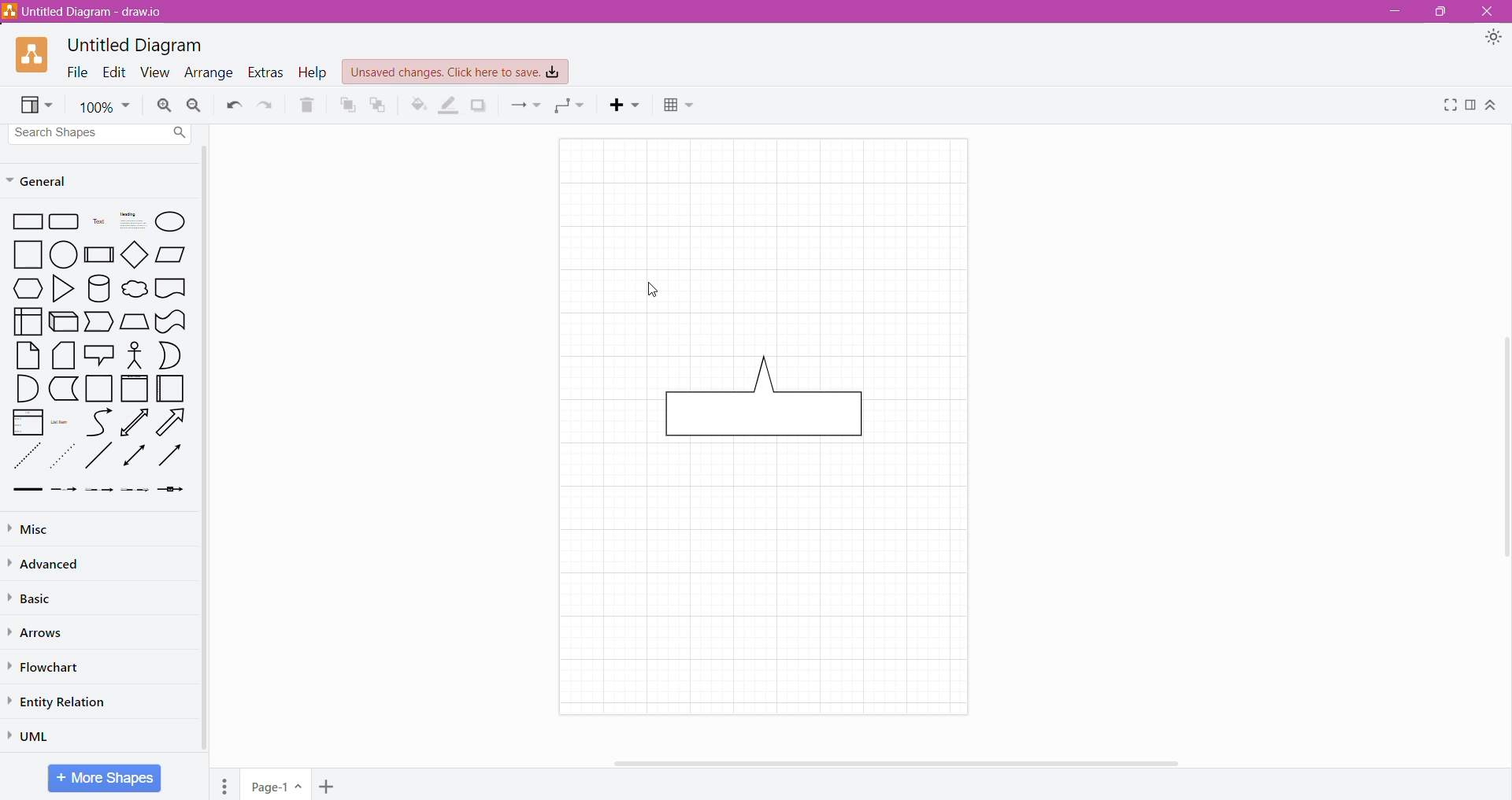 Image resolution: width=1512 pixels, height=800 pixels. I want to click on Advanced, so click(47, 564).